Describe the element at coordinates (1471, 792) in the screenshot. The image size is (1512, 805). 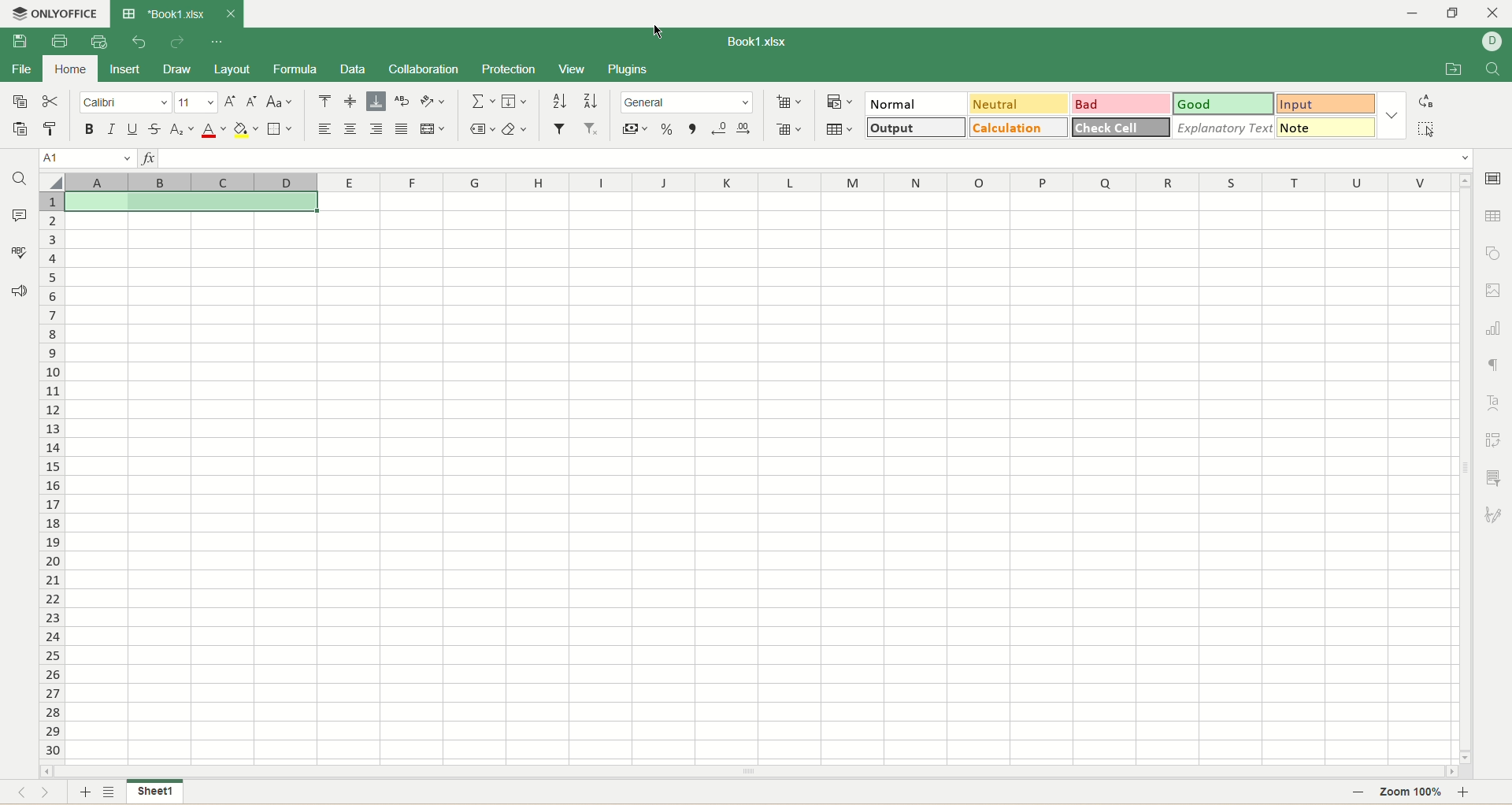
I see `zoom in` at that location.